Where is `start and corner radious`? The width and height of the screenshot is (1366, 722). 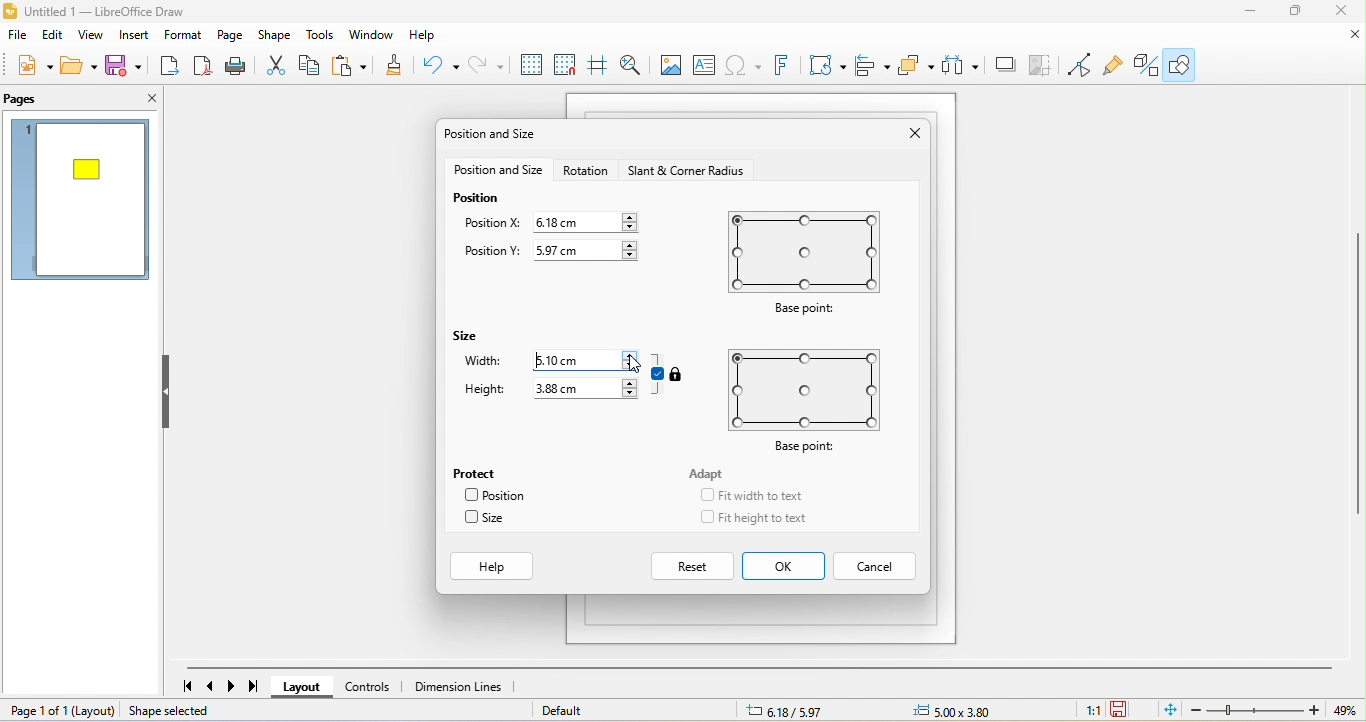
start and corner radious is located at coordinates (688, 171).